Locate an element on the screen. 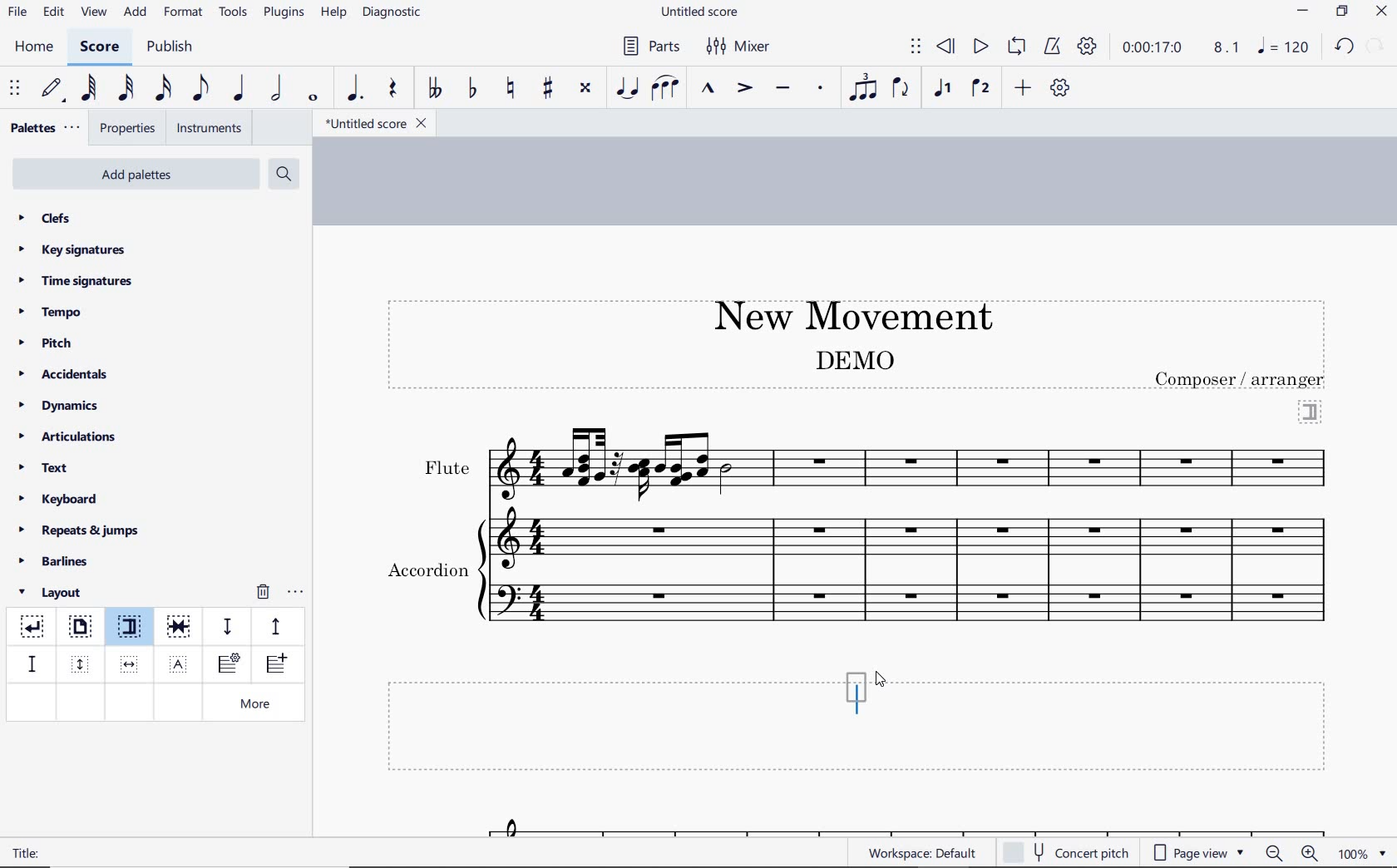 The height and width of the screenshot is (868, 1397). Instrument: Accordion is located at coordinates (912, 584).